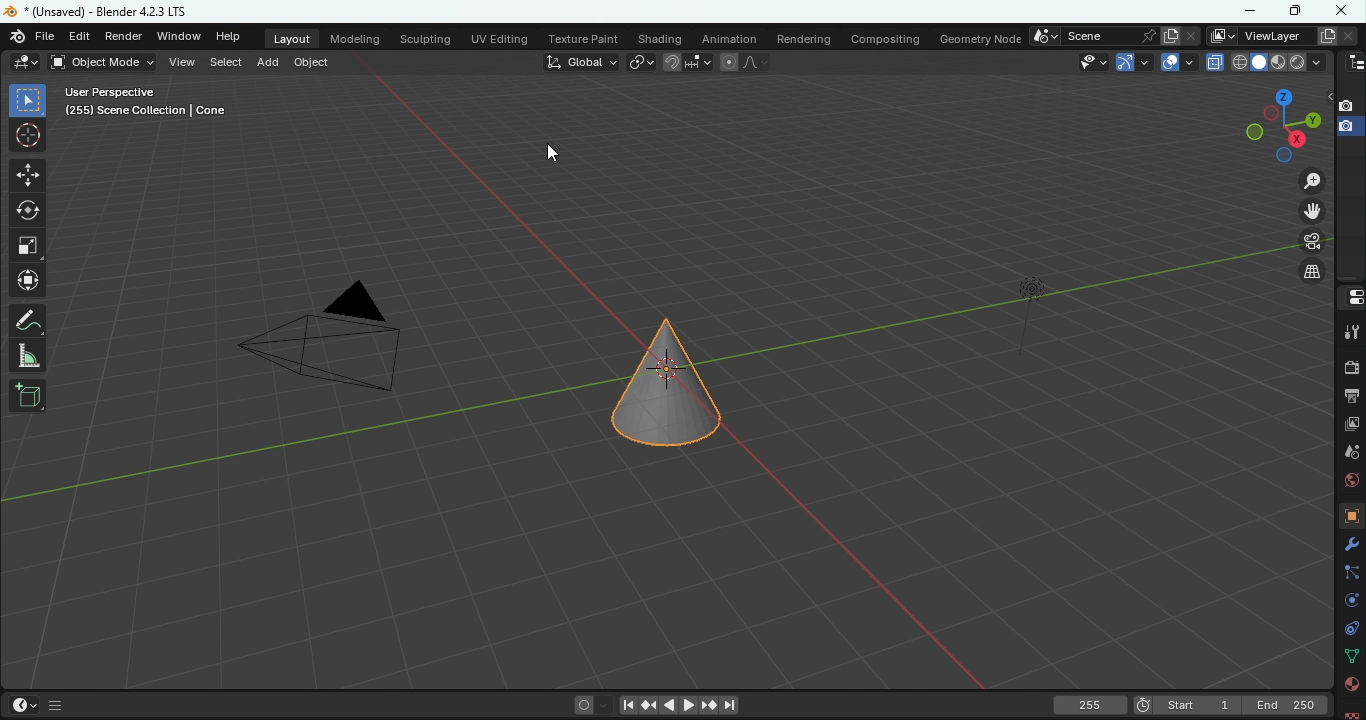 Image resolution: width=1366 pixels, height=720 pixels. I want to click on Toggle: Enable view navigation within the camera view, so click(1311, 272).